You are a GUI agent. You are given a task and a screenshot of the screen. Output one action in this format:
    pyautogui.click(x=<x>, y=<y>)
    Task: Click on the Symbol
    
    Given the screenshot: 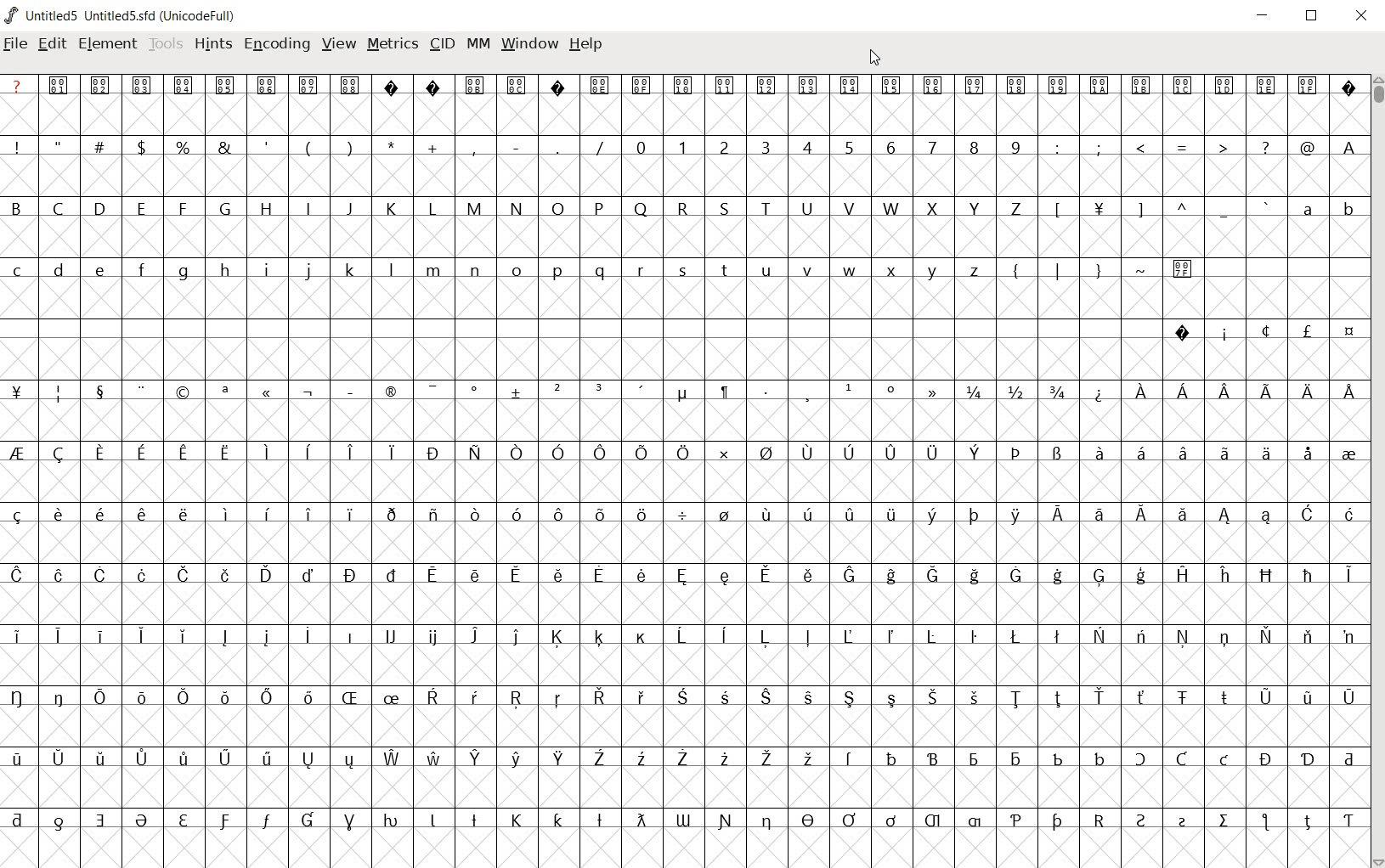 What is the action you would take?
    pyautogui.click(x=1142, y=820)
    